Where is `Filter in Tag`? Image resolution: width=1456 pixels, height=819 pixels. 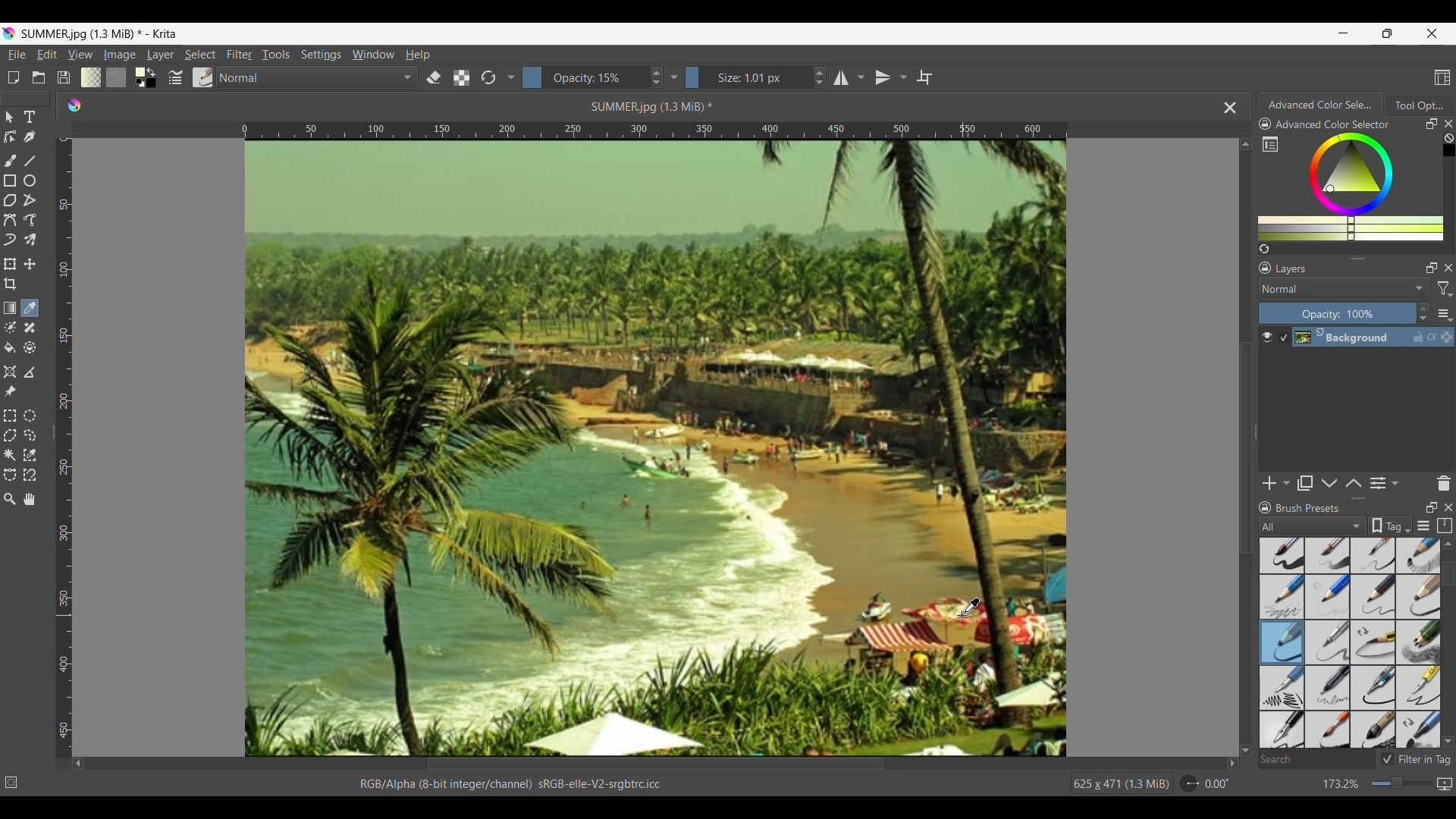 Filter in Tag is located at coordinates (1415, 759).